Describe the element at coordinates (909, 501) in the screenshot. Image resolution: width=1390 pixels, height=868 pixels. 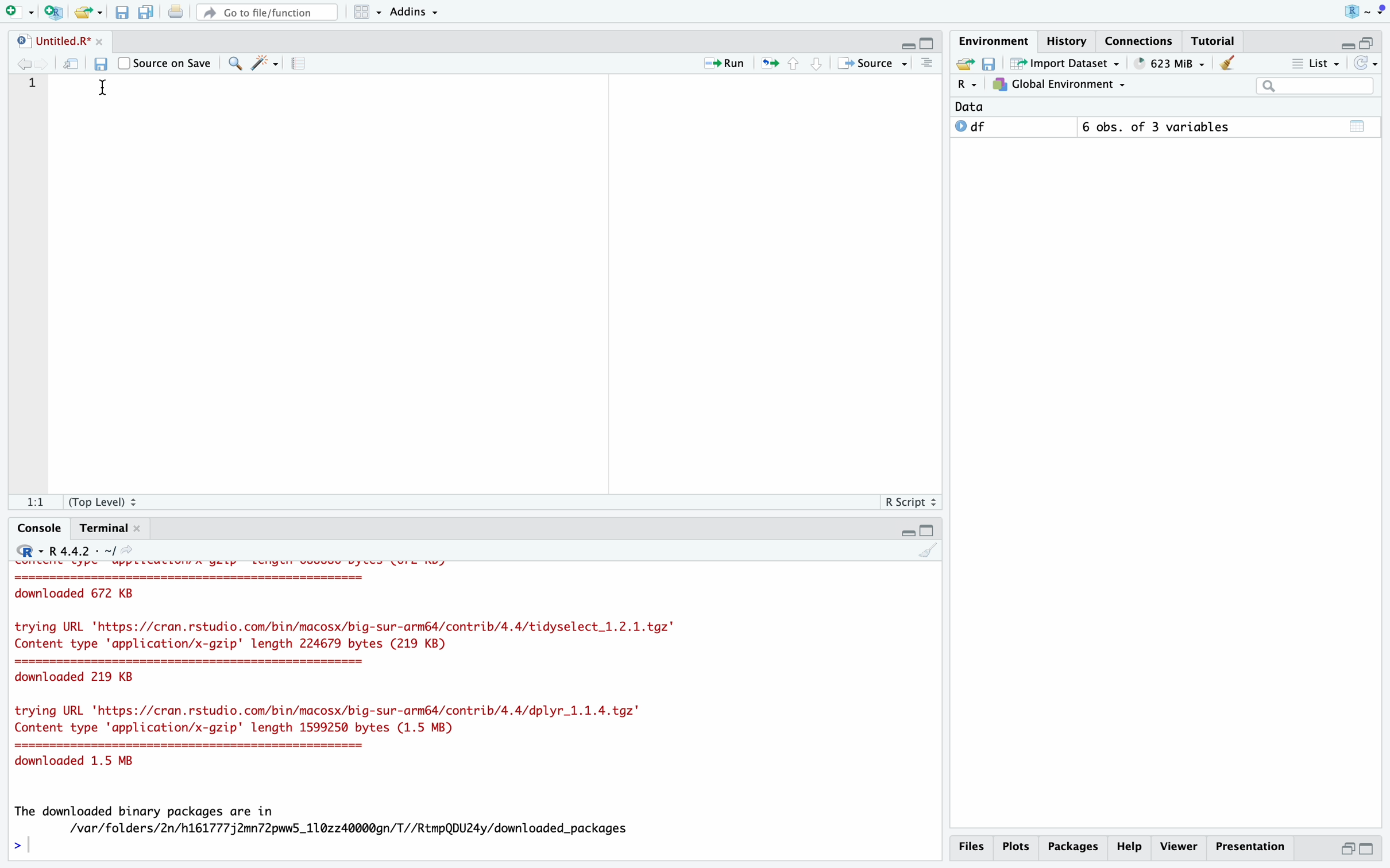
I see `R Script` at that location.